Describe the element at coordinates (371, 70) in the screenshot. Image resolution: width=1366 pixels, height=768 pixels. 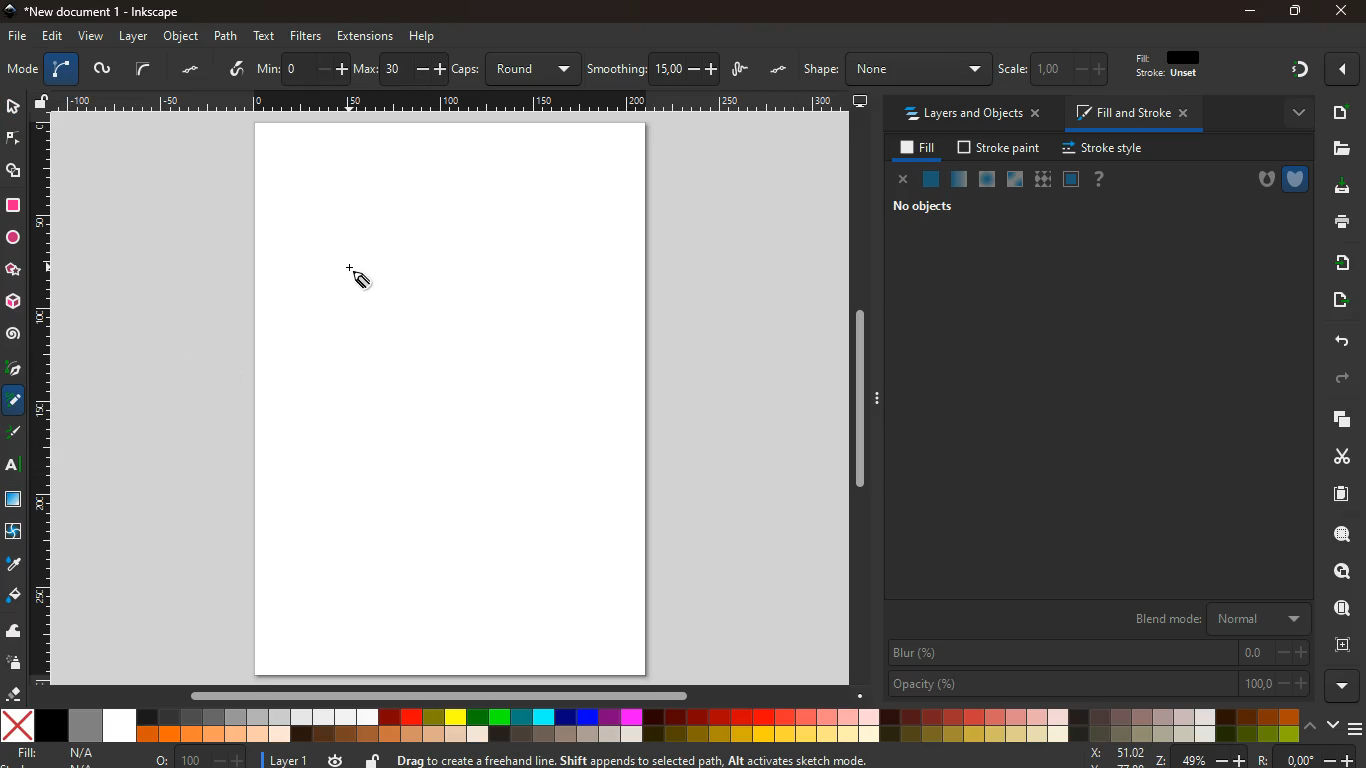
I see `graph` at that location.